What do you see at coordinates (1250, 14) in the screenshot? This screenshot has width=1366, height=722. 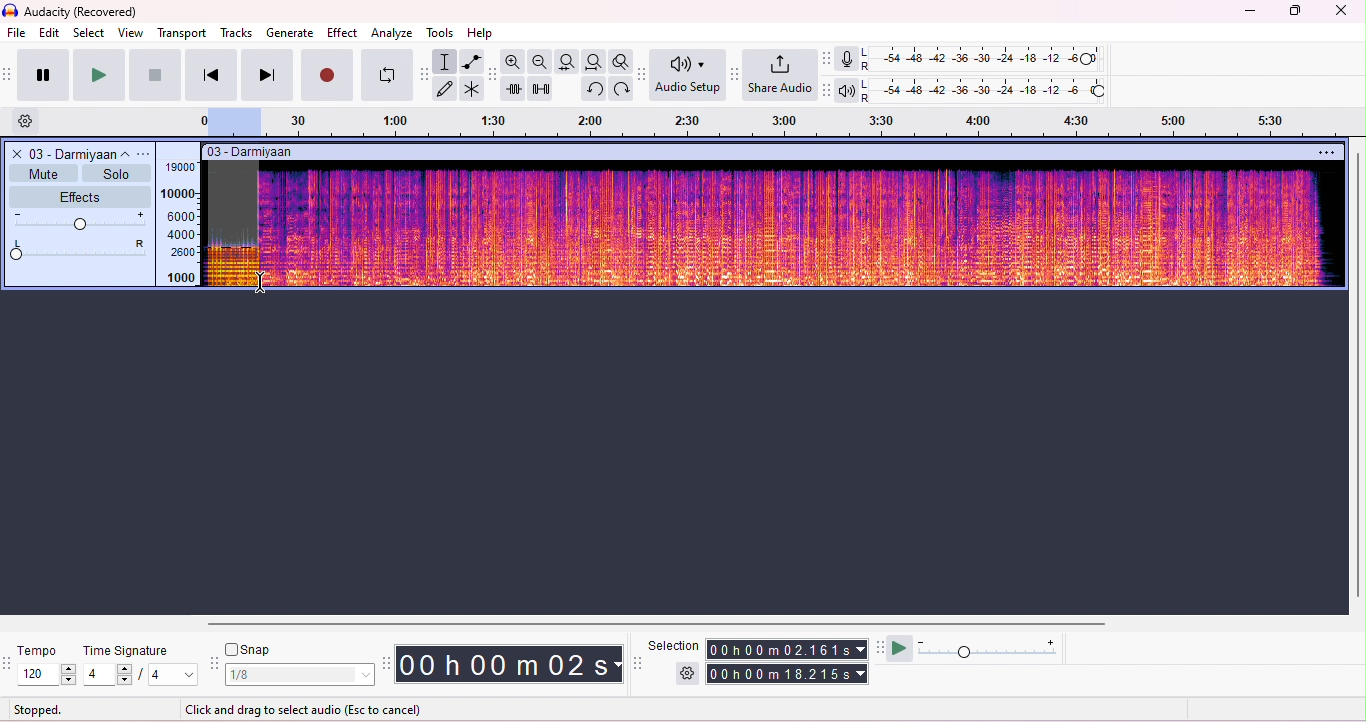 I see `minimize` at bounding box center [1250, 14].